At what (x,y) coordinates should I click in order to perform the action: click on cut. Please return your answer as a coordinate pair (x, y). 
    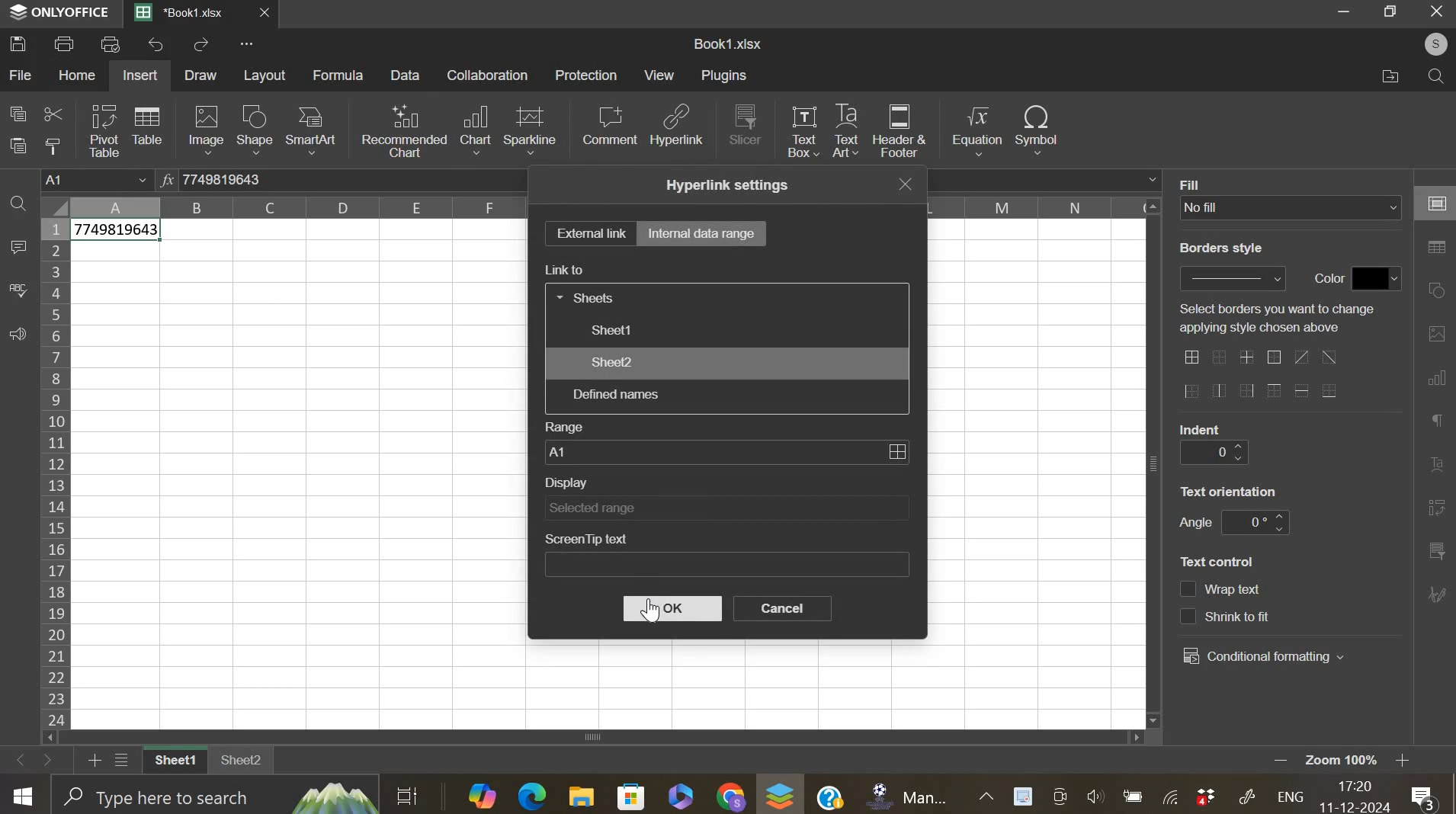
    Looking at the image, I should click on (53, 116).